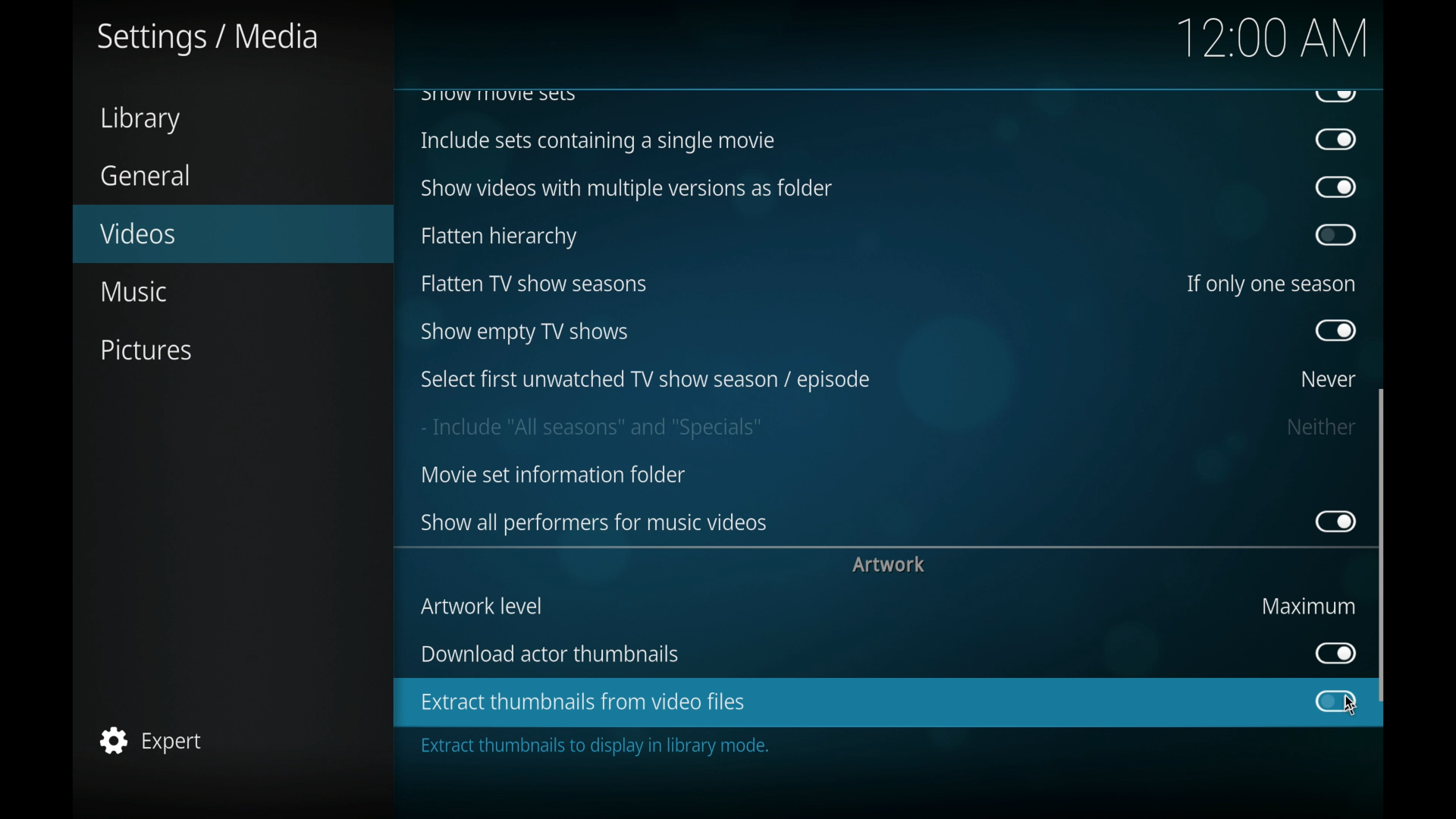  What do you see at coordinates (140, 120) in the screenshot?
I see `library` at bounding box center [140, 120].